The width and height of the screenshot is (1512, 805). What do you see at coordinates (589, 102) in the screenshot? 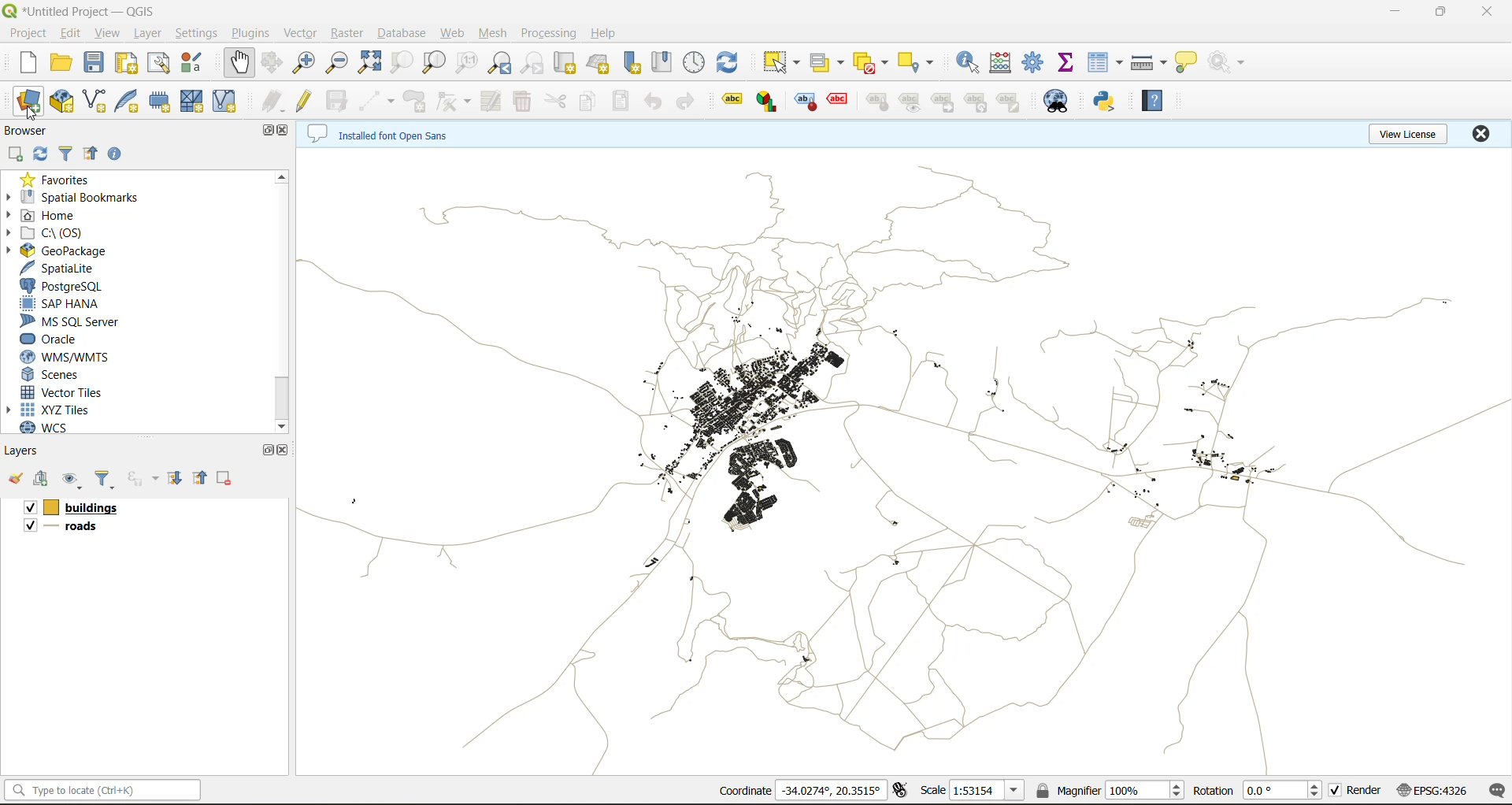
I see `copy` at bounding box center [589, 102].